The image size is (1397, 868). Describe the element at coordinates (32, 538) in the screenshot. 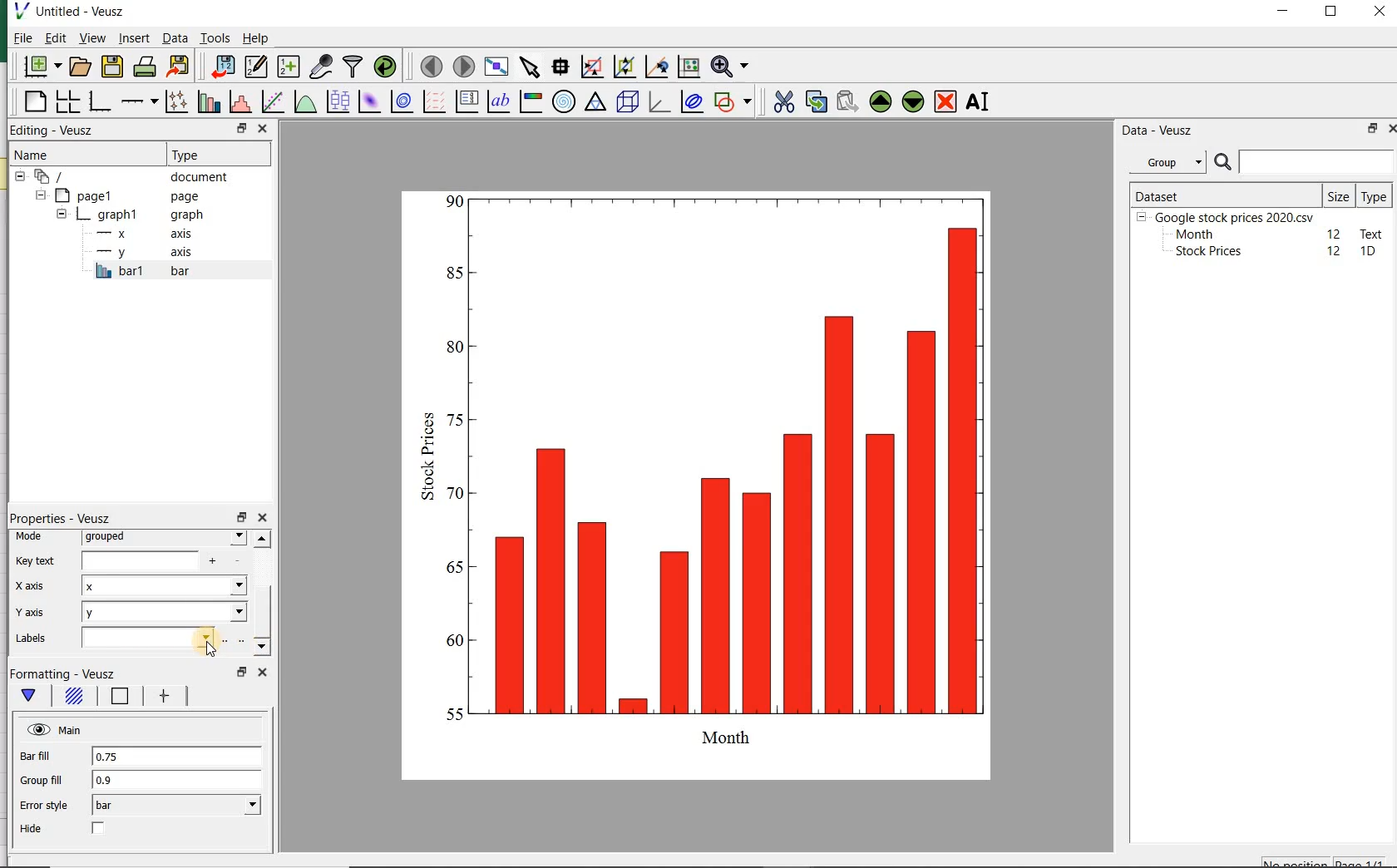

I see `Mode` at that location.